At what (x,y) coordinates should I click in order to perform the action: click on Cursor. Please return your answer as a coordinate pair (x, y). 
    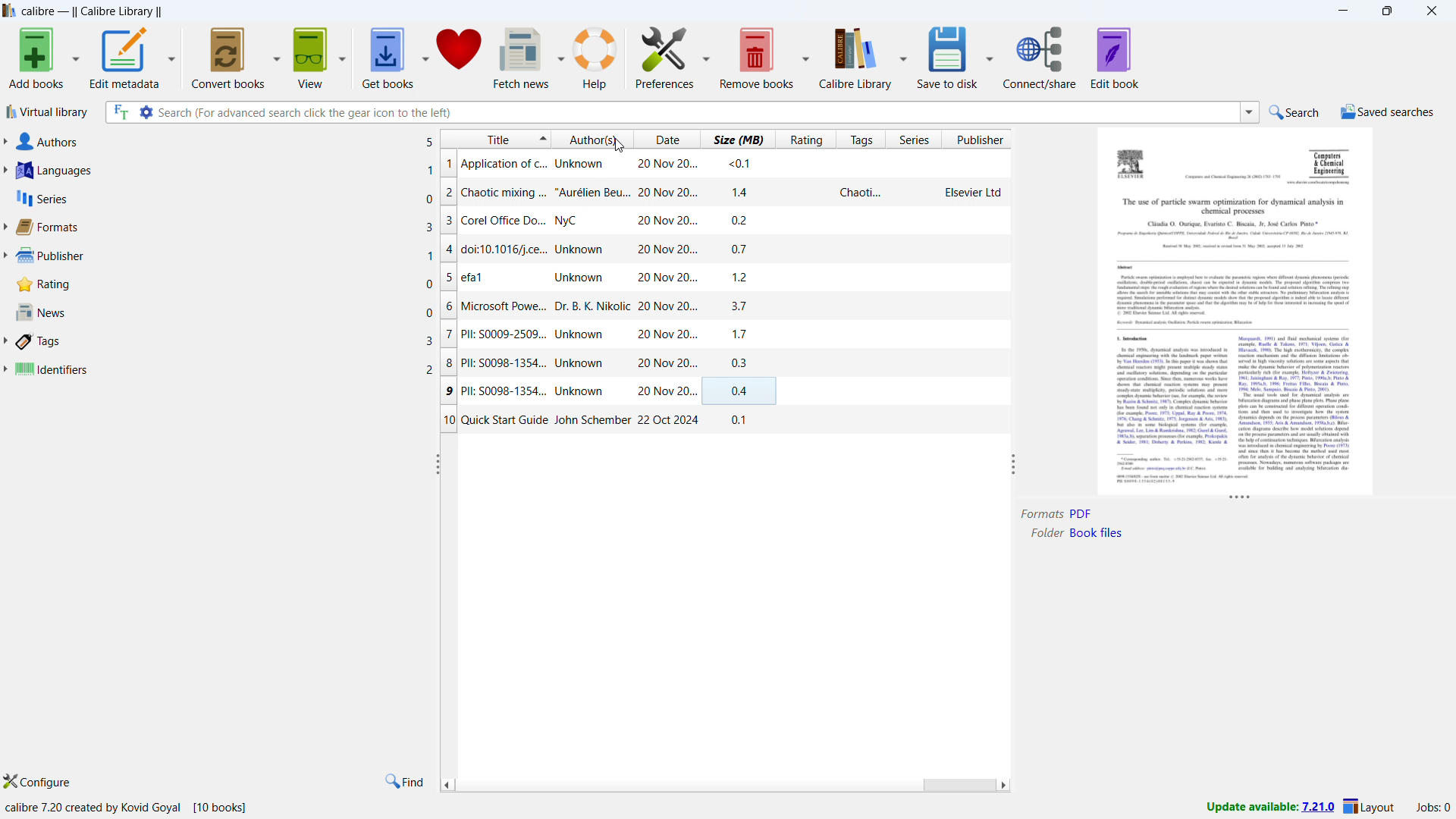
    Looking at the image, I should click on (618, 145).